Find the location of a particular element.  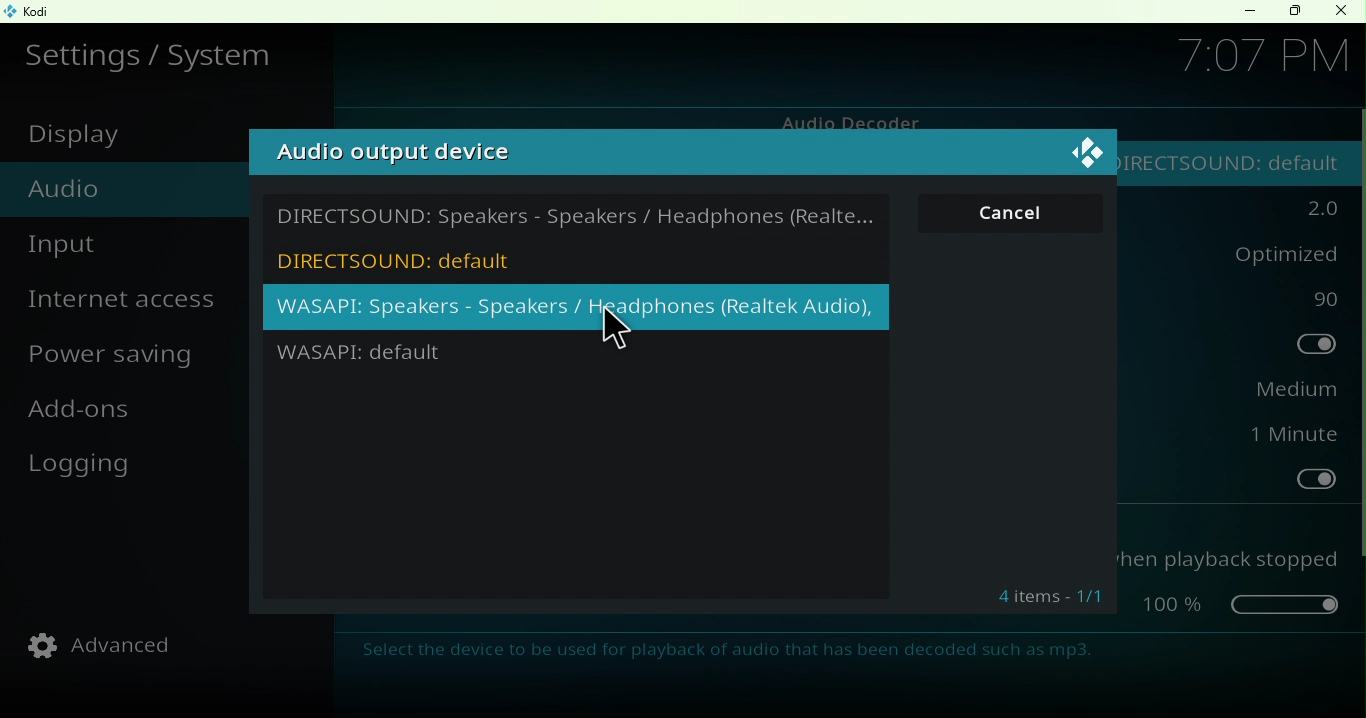

Settings/system is located at coordinates (153, 52).